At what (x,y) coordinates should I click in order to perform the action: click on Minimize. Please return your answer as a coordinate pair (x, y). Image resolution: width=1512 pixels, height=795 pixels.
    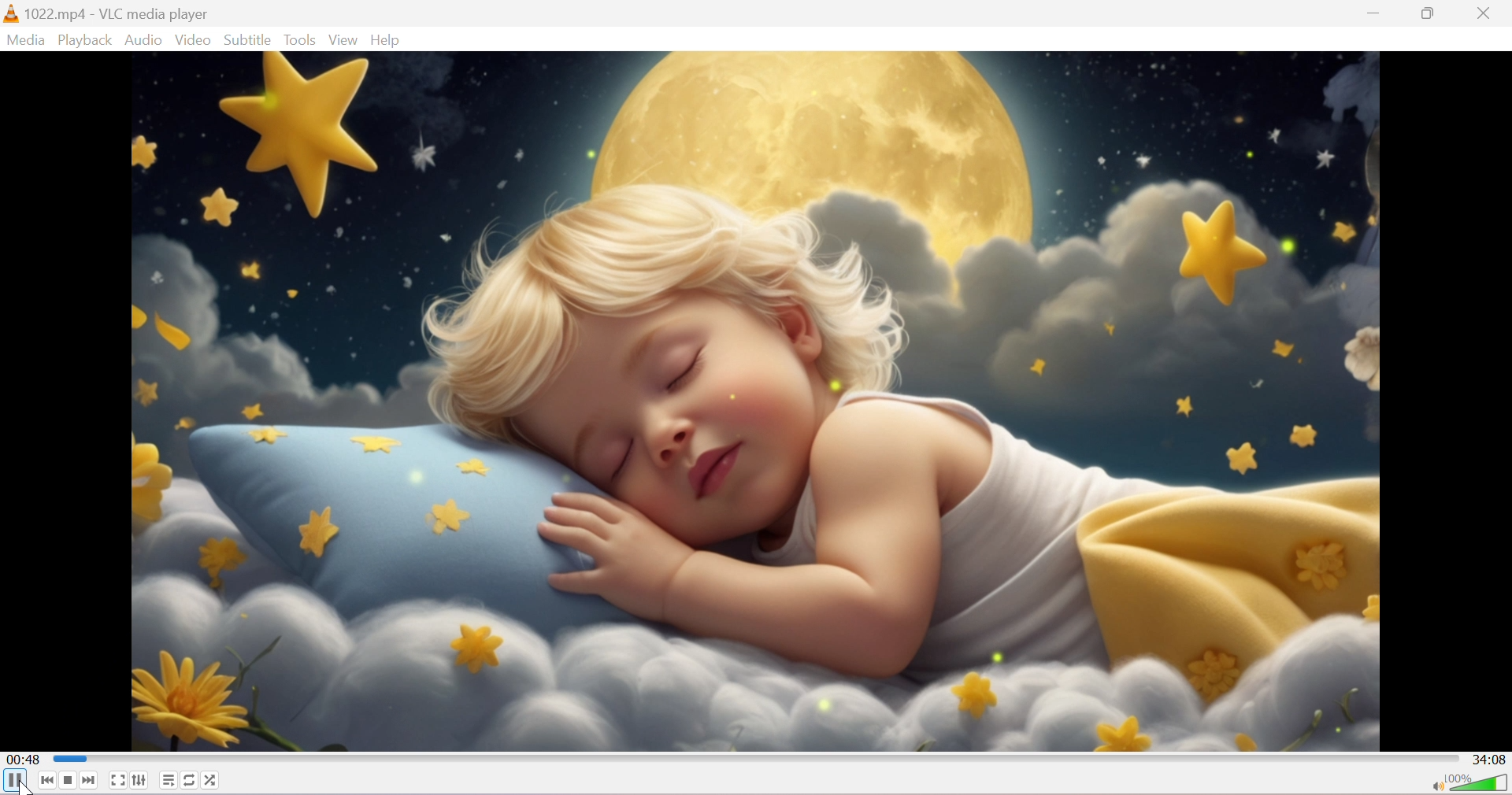
    Looking at the image, I should click on (1373, 17).